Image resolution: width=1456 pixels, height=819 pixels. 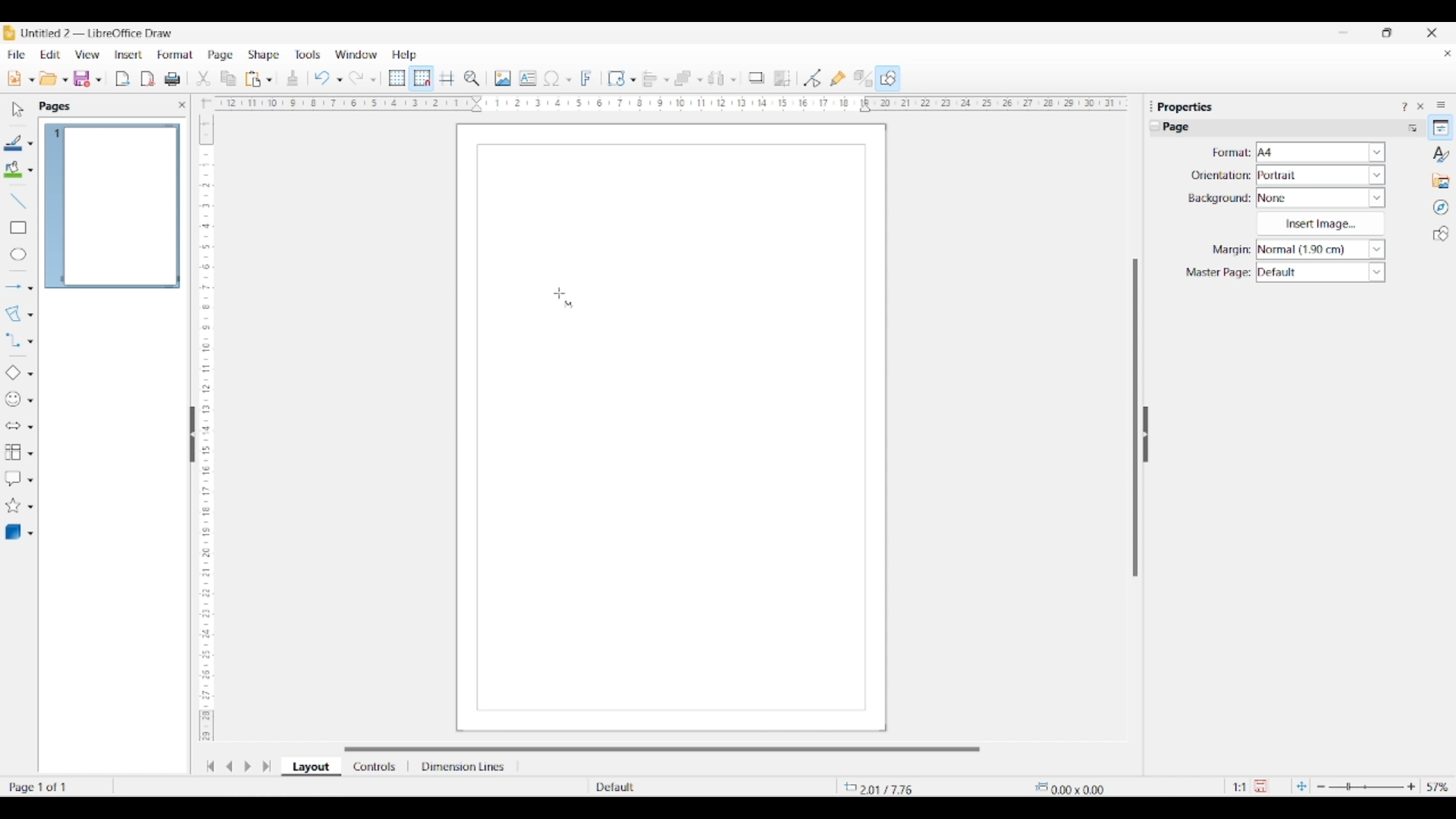 I want to click on Shadow, so click(x=756, y=77).